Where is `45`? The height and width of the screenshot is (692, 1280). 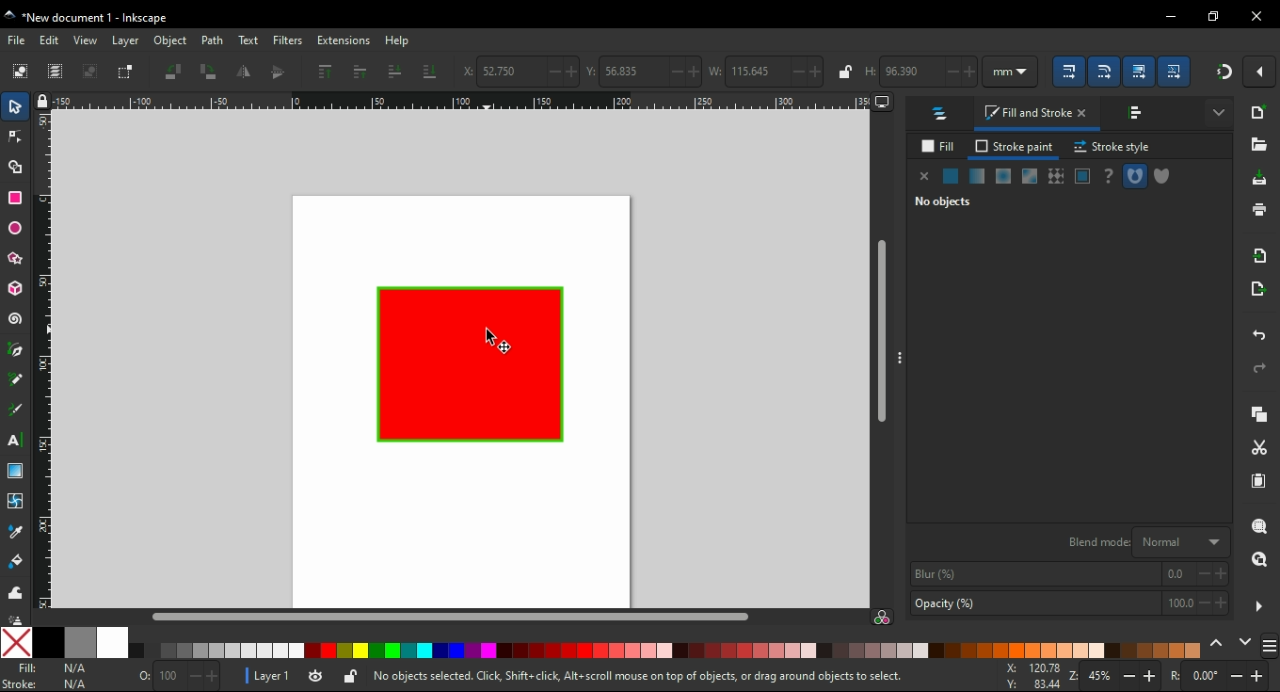
45 is located at coordinates (1101, 677).